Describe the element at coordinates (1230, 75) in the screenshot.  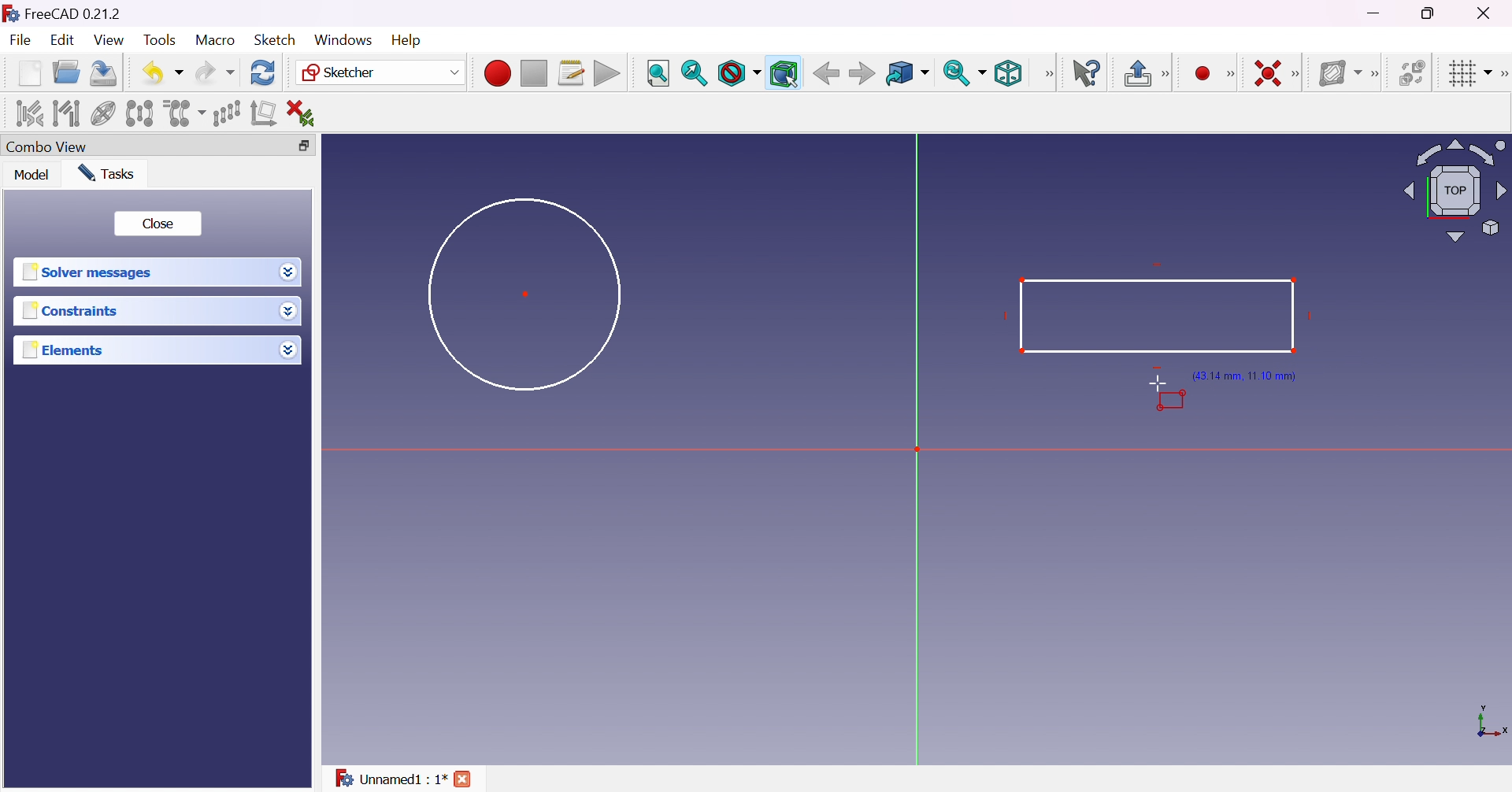
I see `Sketcher geometries` at that location.